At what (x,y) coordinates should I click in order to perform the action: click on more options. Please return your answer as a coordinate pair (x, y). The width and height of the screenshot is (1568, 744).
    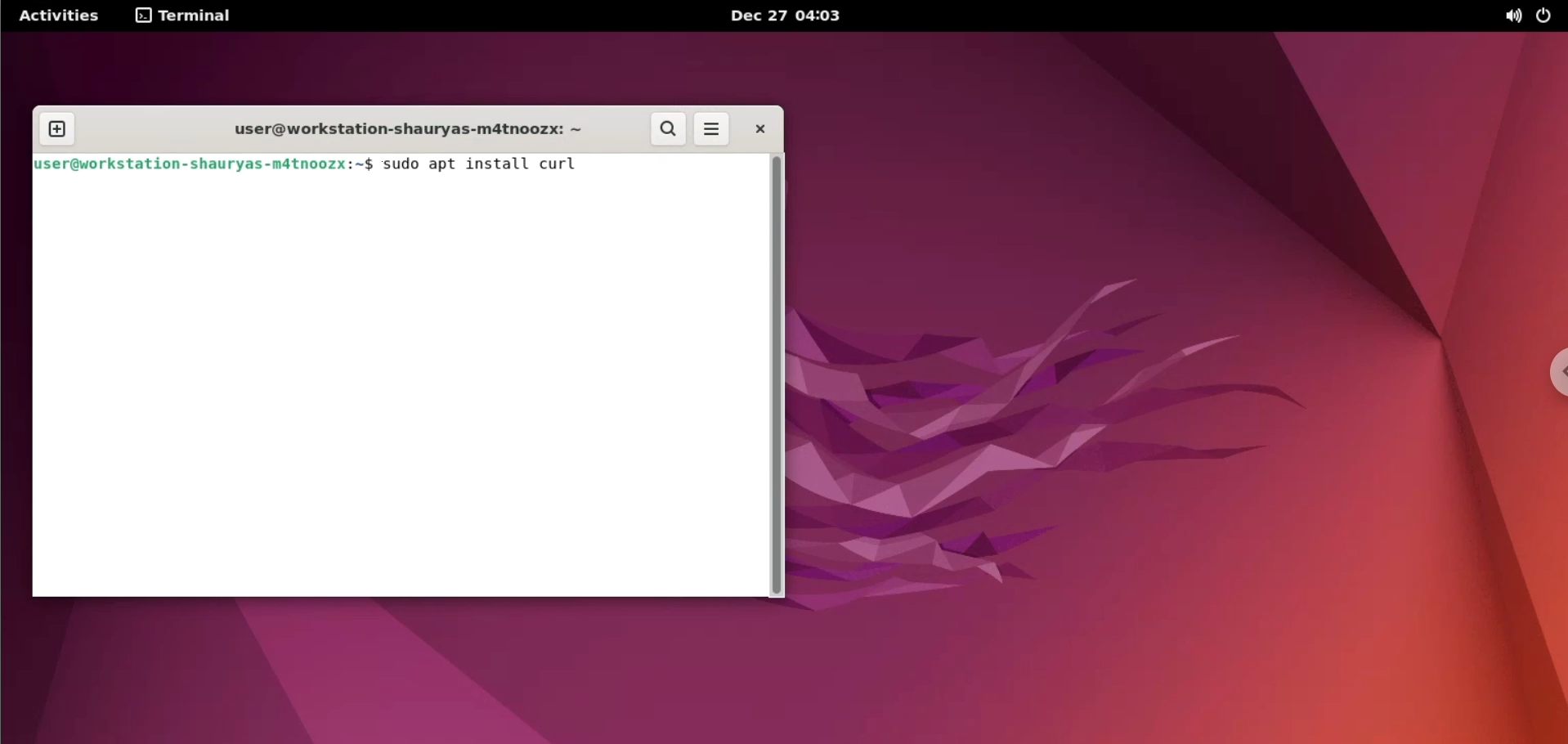
    Looking at the image, I should click on (711, 130).